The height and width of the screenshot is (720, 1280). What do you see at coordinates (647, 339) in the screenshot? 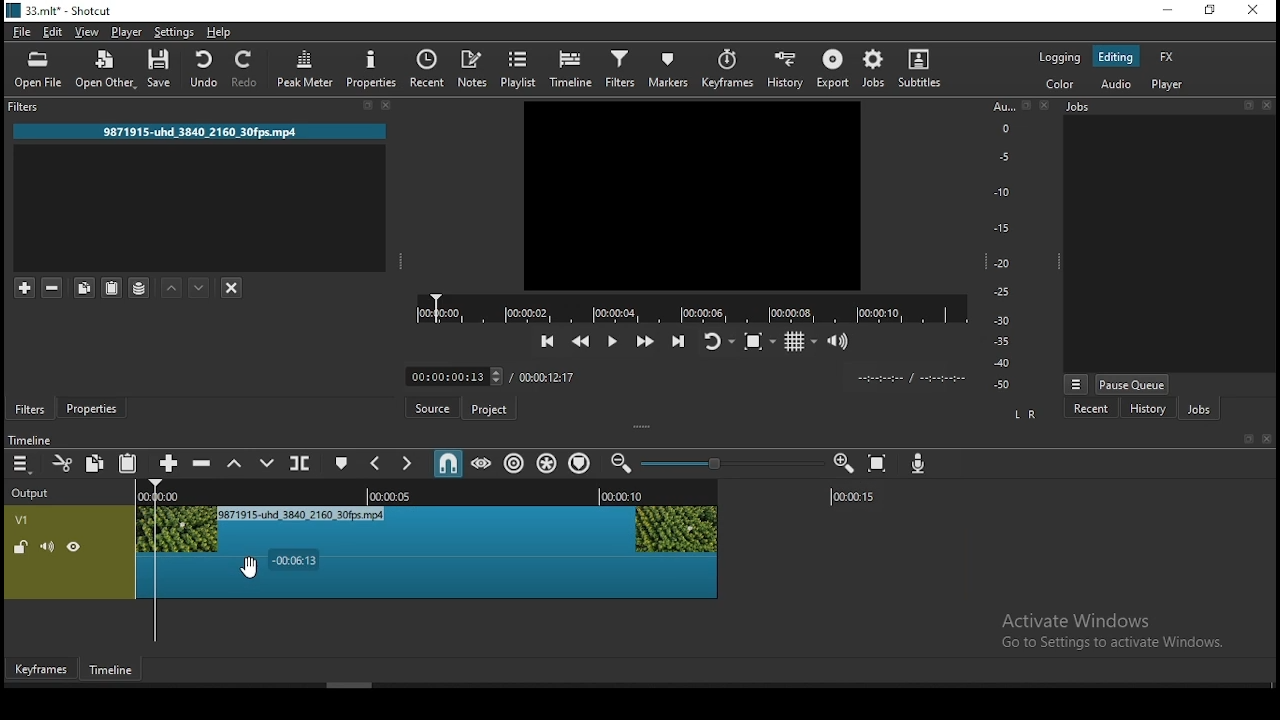
I see `play quickly forward` at bounding box center [647, 339].